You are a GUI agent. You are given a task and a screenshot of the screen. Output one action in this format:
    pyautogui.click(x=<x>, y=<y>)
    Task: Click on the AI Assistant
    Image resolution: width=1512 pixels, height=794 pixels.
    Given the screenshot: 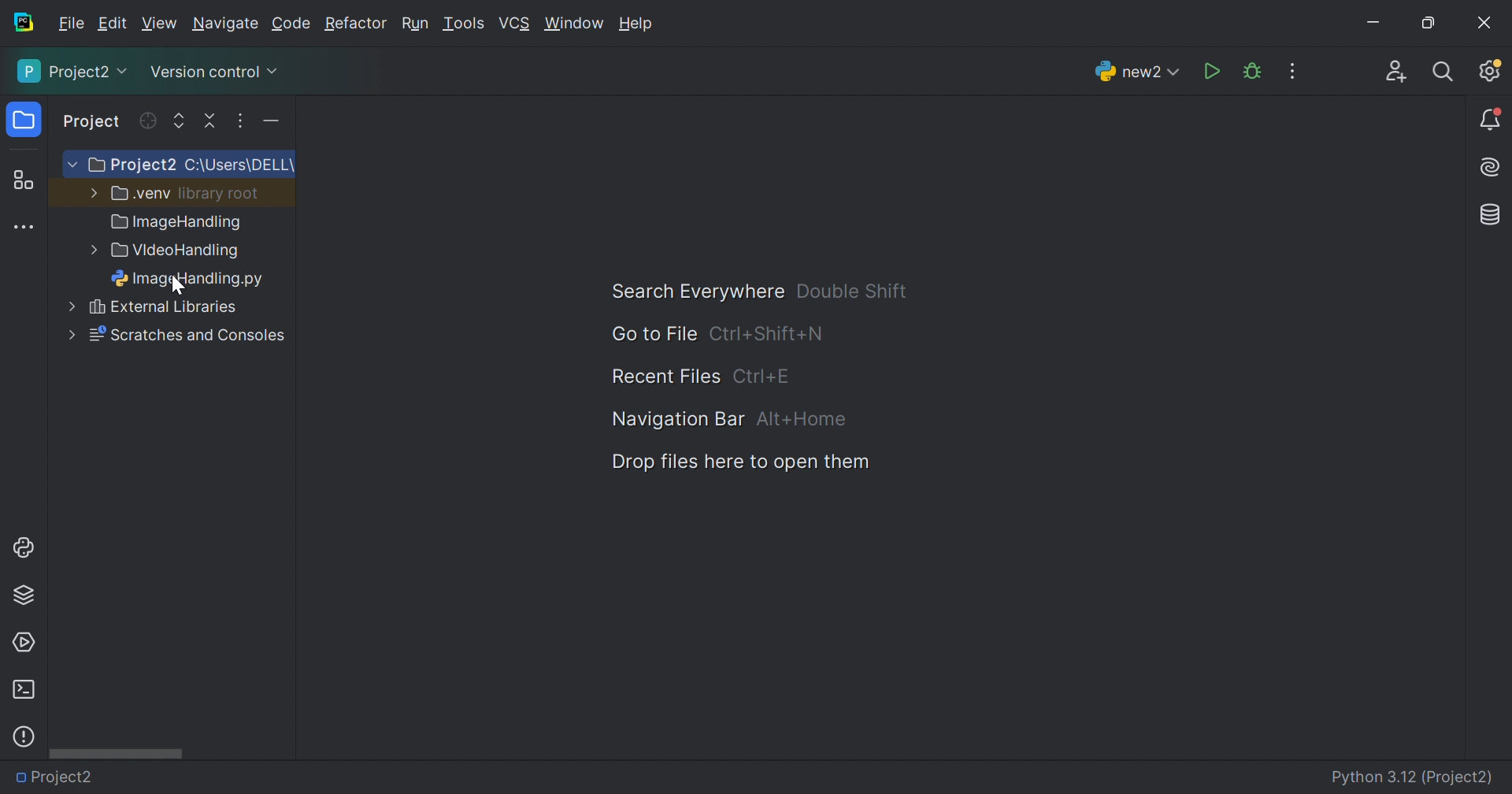 What is the action you would take?
    pyautogui.click(x=1492, y=168)
    